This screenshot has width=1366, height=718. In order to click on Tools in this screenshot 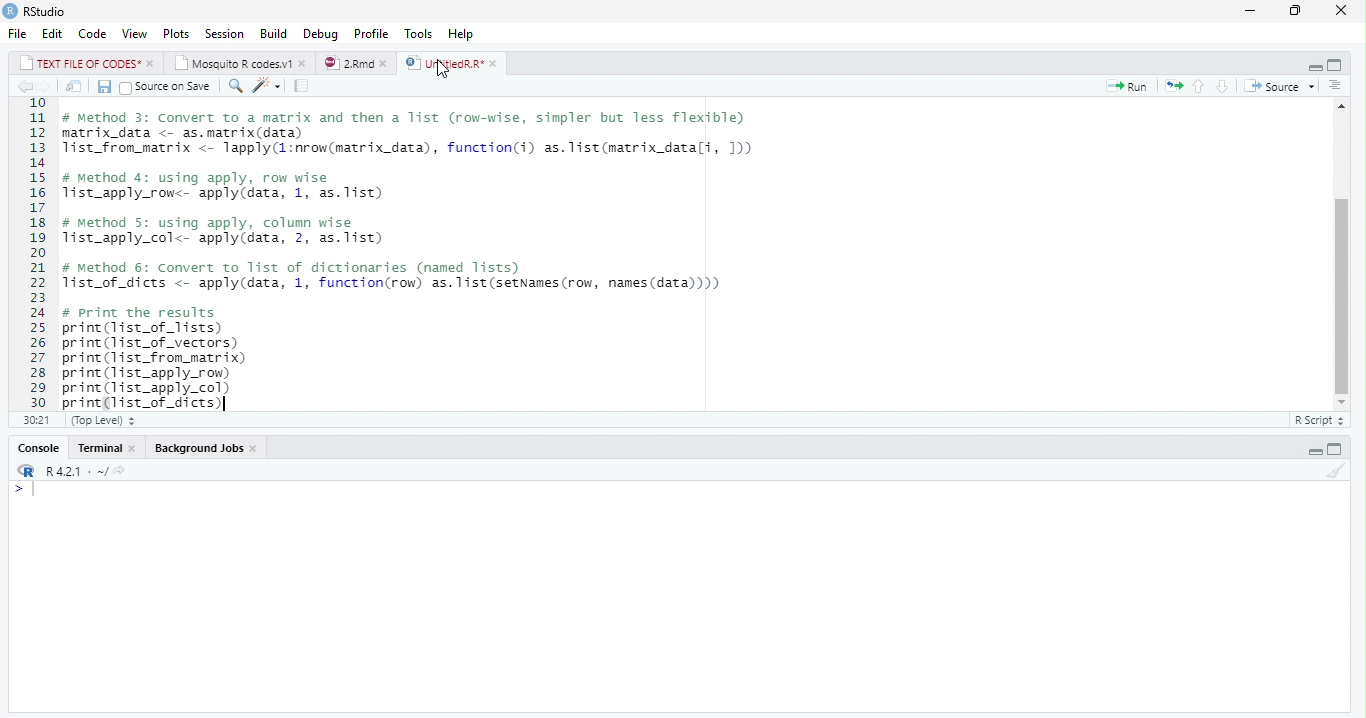, I will do `click(421, 33)`.